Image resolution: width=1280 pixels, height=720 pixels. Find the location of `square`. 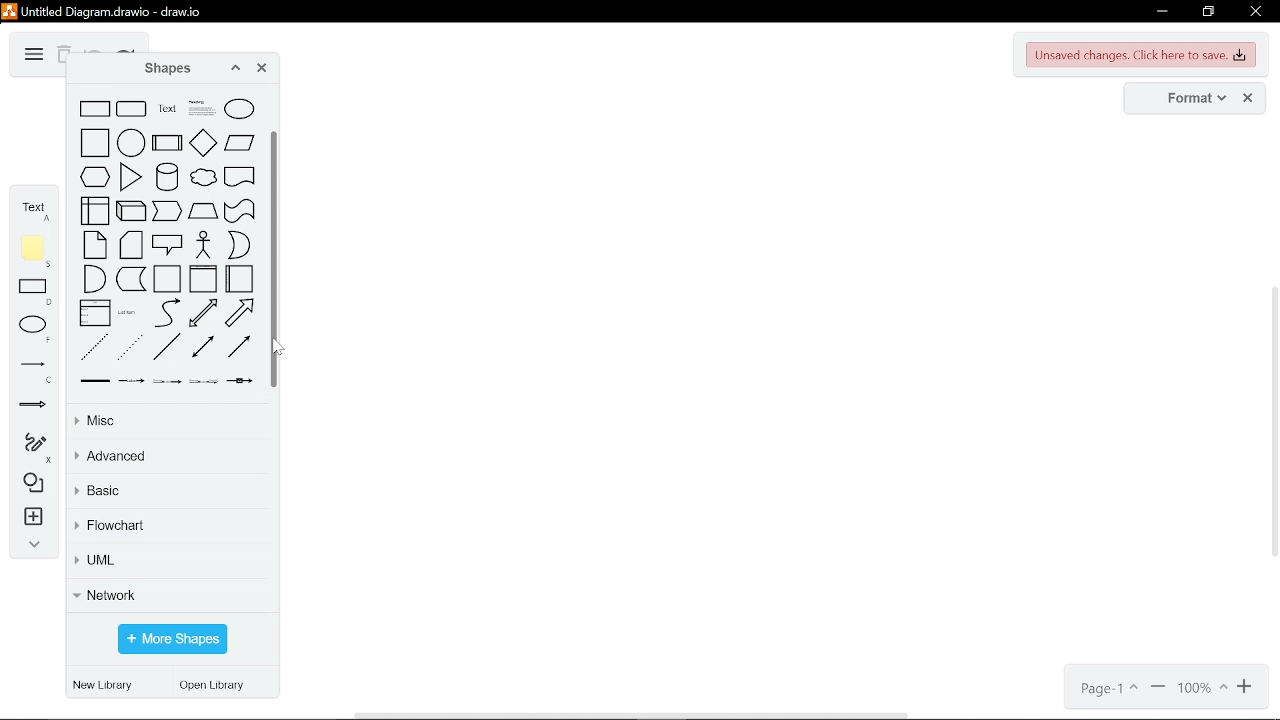

square is located at coordinates (95, 142).